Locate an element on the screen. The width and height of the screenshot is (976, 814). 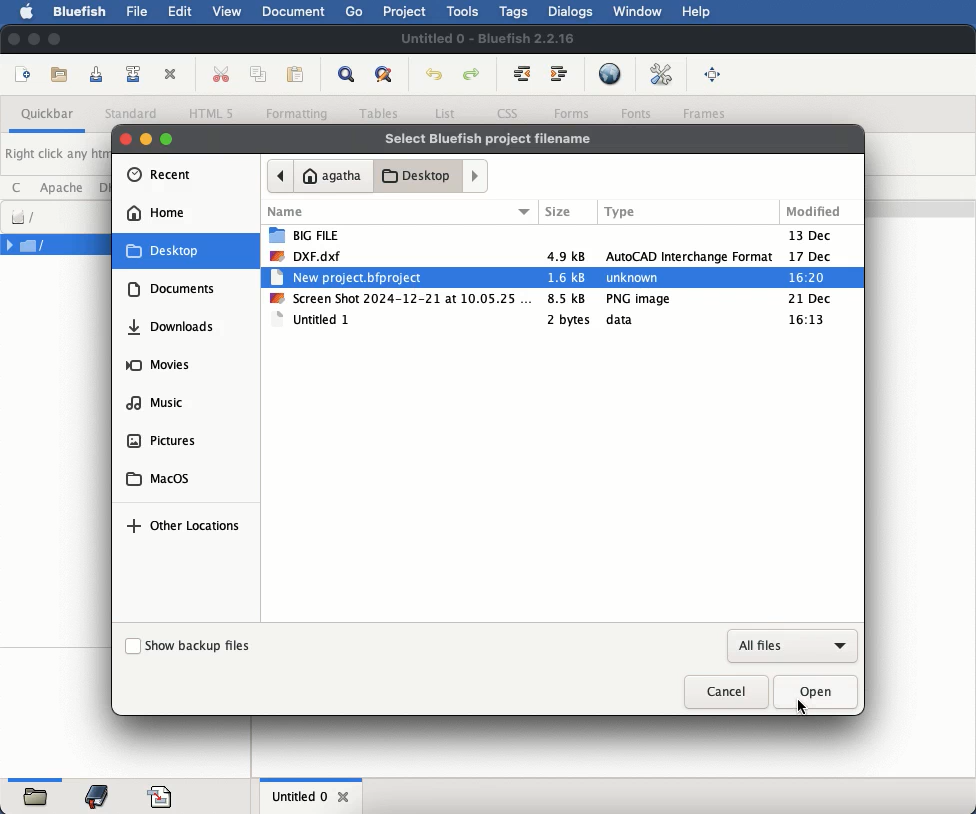
desktop is located at coordinates (419, 176).